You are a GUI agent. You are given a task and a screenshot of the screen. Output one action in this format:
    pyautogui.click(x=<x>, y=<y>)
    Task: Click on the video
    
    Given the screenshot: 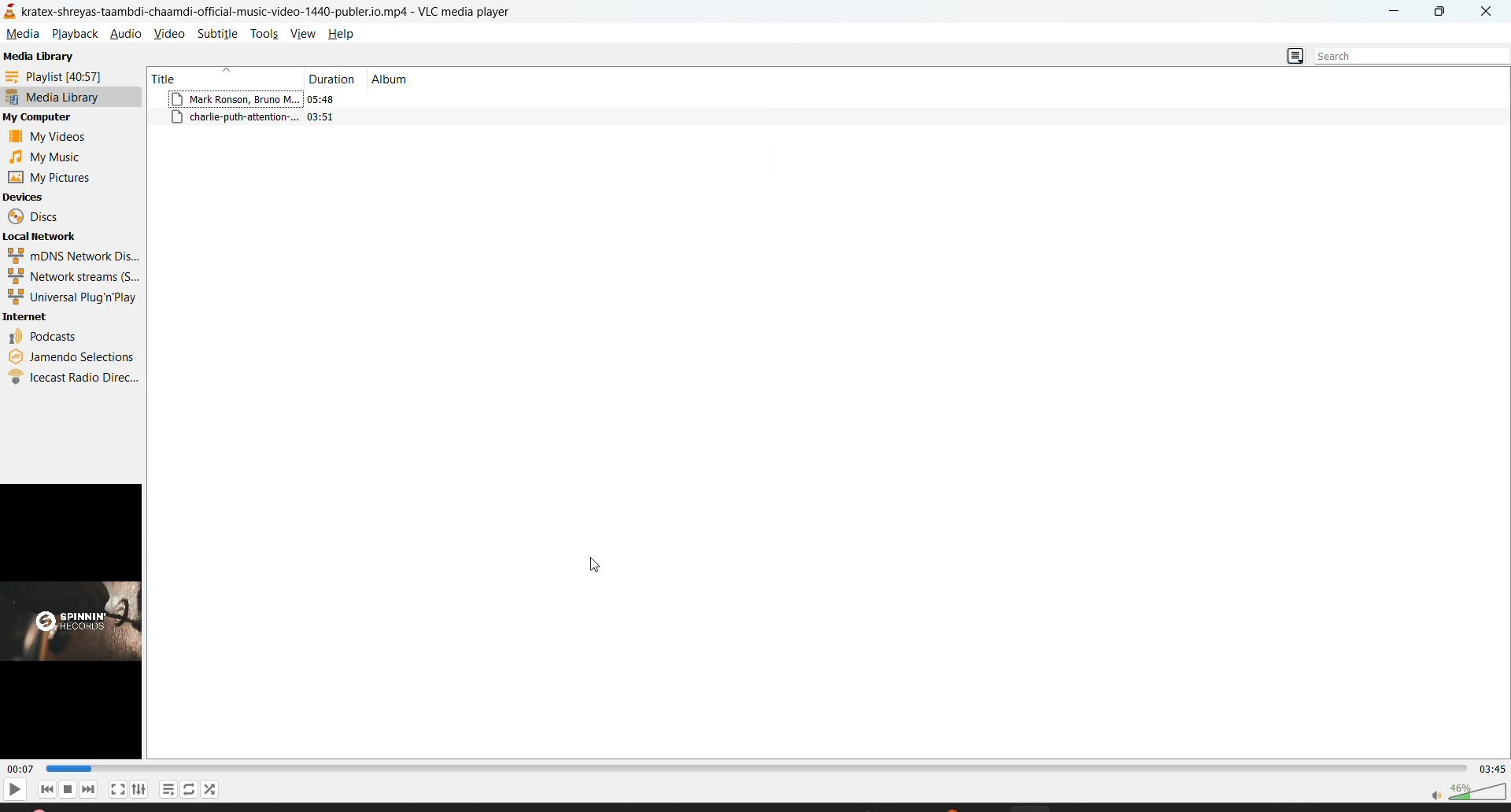 What is the action you would take?
    pyautogui.click(x=170, y=33)
    